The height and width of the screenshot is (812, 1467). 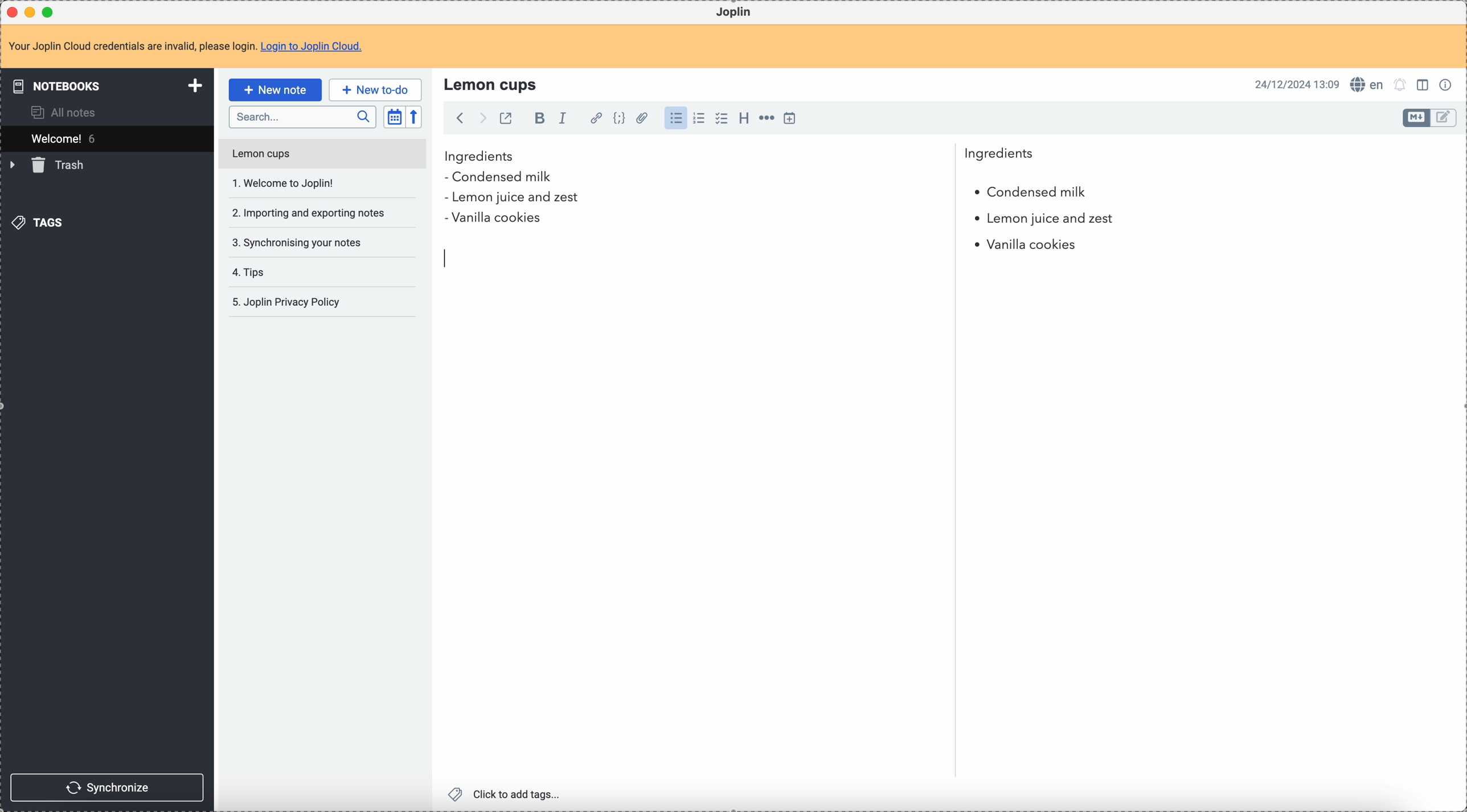 I want to click on insert time, so click(x=789, y=118).